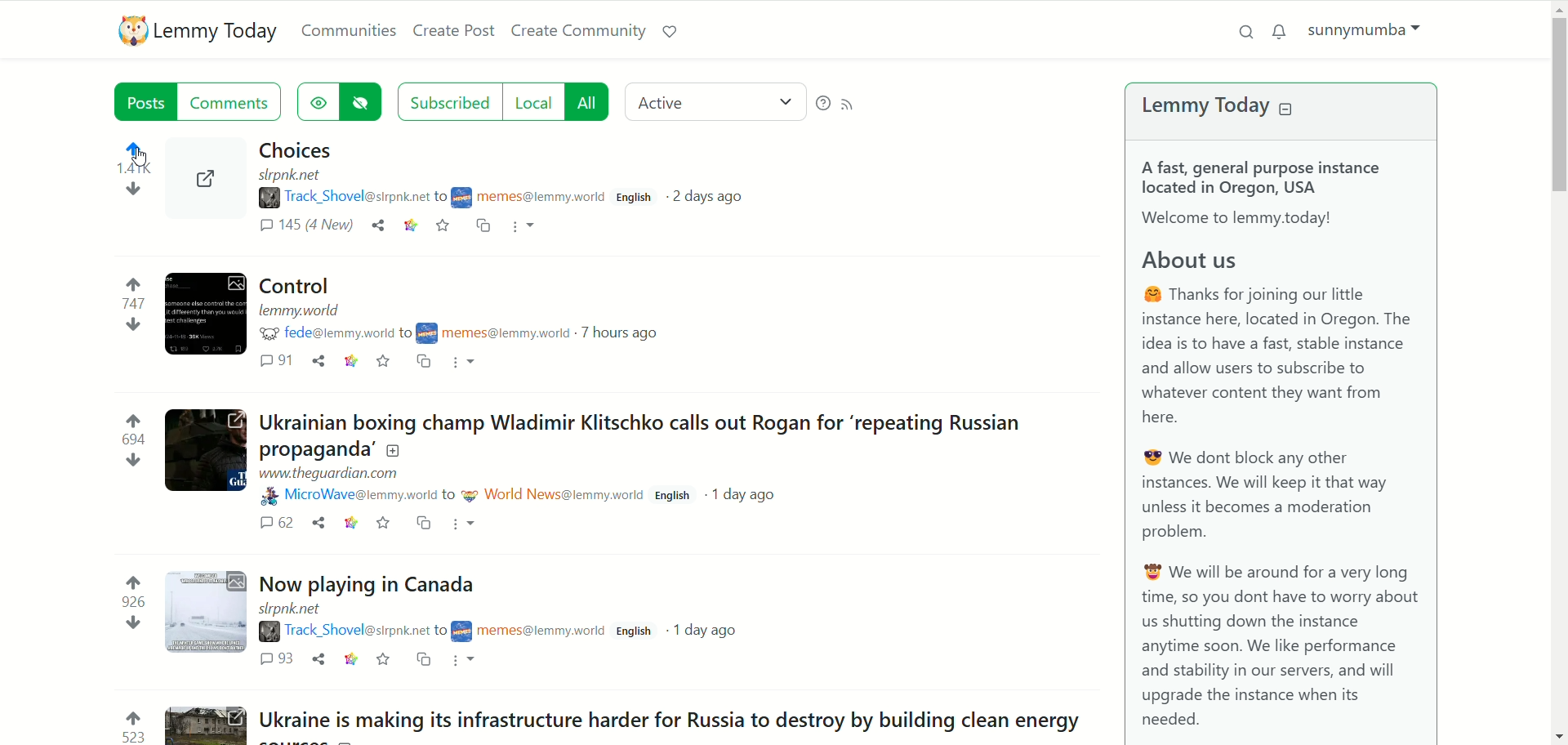 Image resolution: width=1568 pixels, height=745 pixels. I want to click on link, so click(353, 362).